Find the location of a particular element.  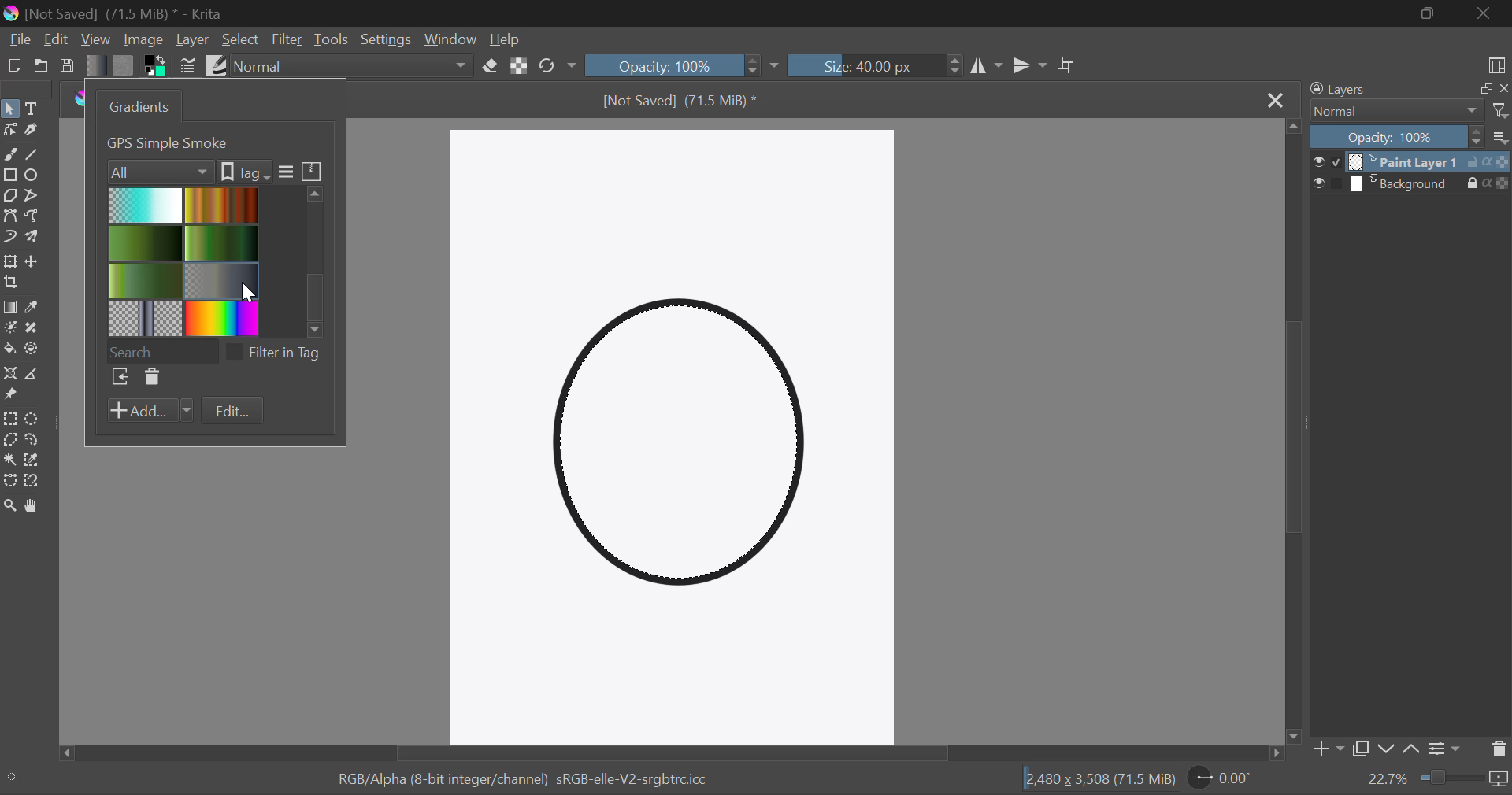

Filters is located at coordinates (156, 172).